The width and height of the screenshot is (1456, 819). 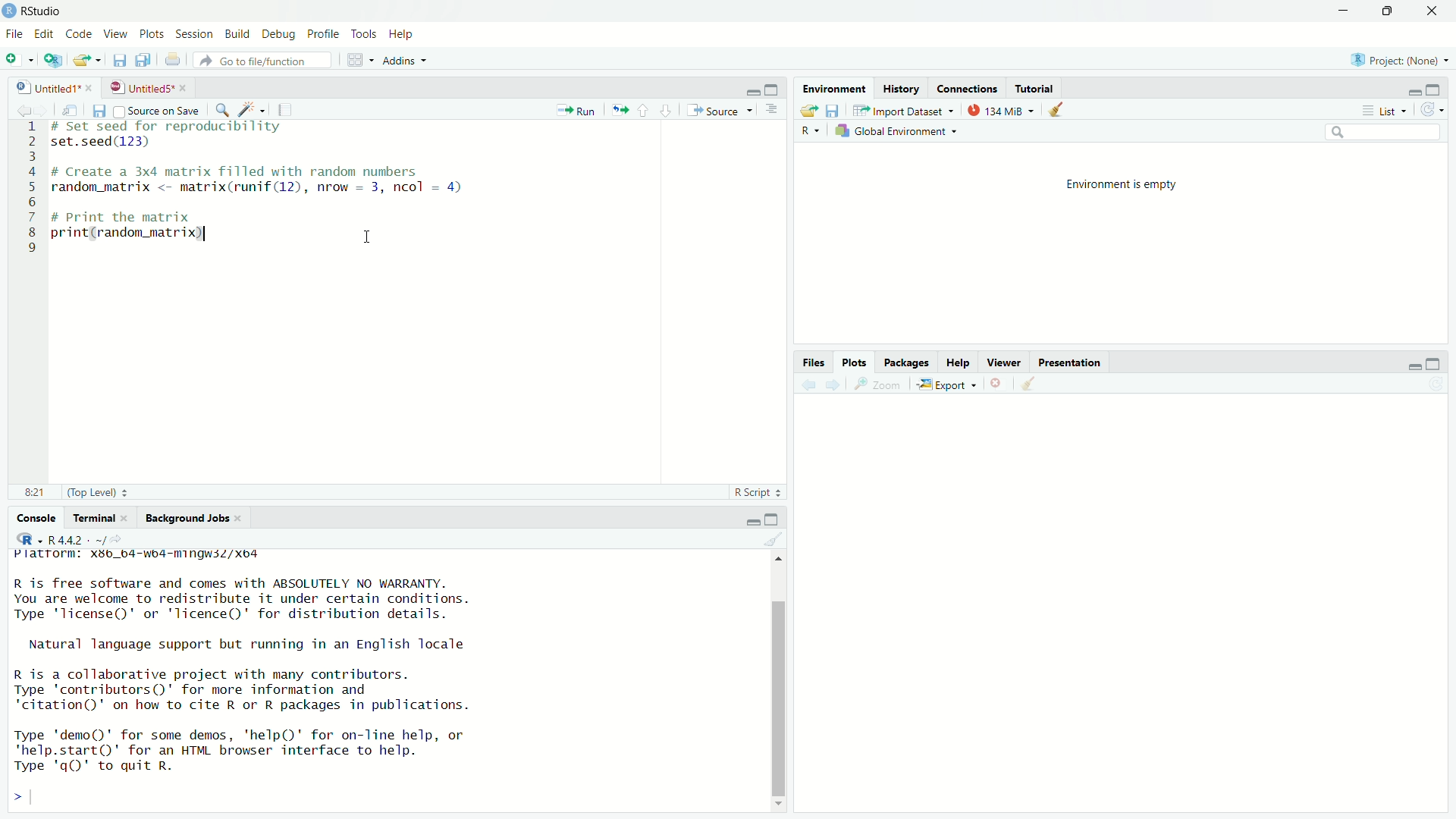 I want to click on Plots, so click(x=152, y=35).